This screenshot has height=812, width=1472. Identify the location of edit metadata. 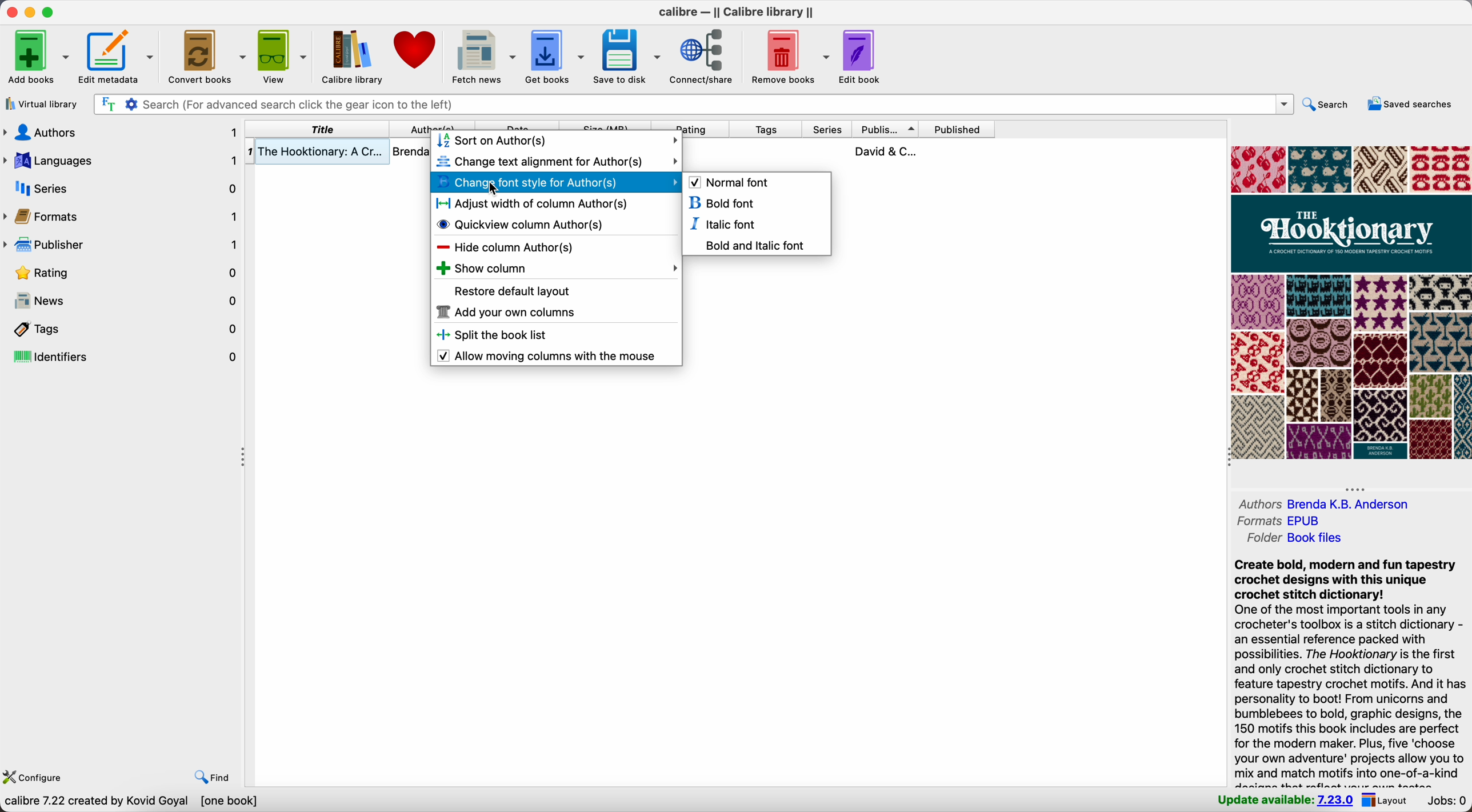
(118, 54).